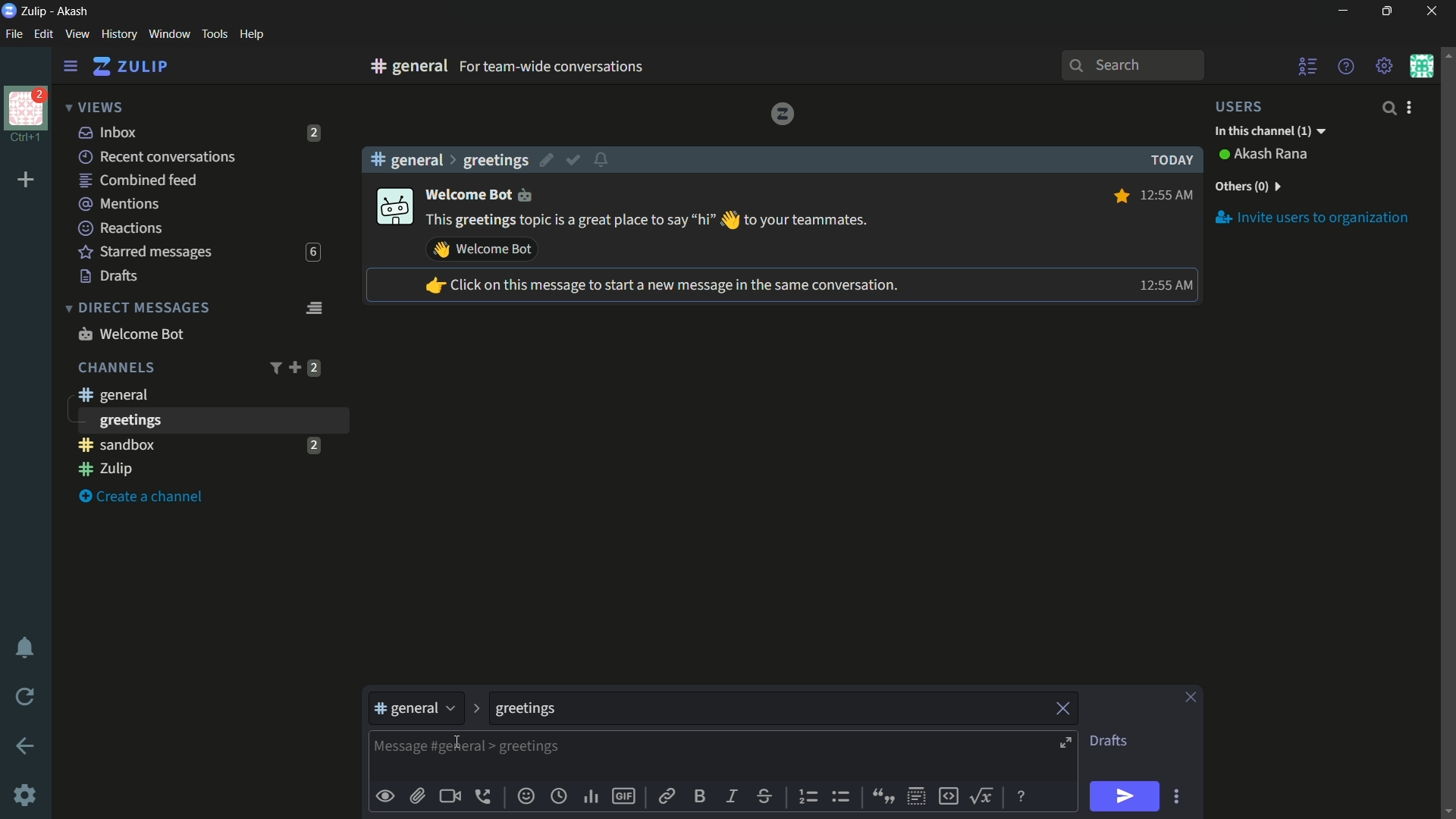 The image size is (1456, 819). I want to click on quote, so click(881, 795).